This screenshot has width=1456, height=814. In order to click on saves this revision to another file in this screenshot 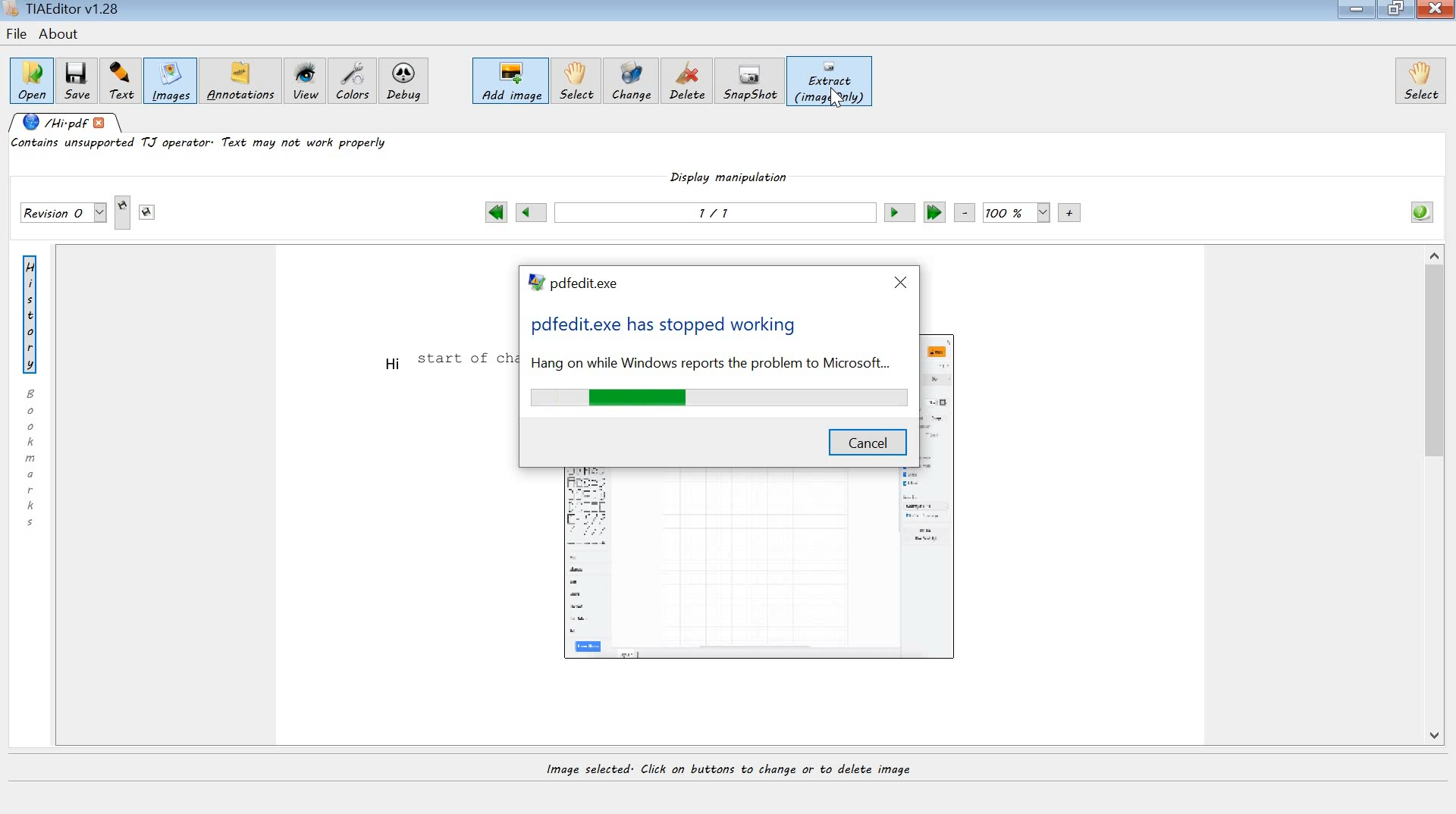, I will do `click(147, 212)`.